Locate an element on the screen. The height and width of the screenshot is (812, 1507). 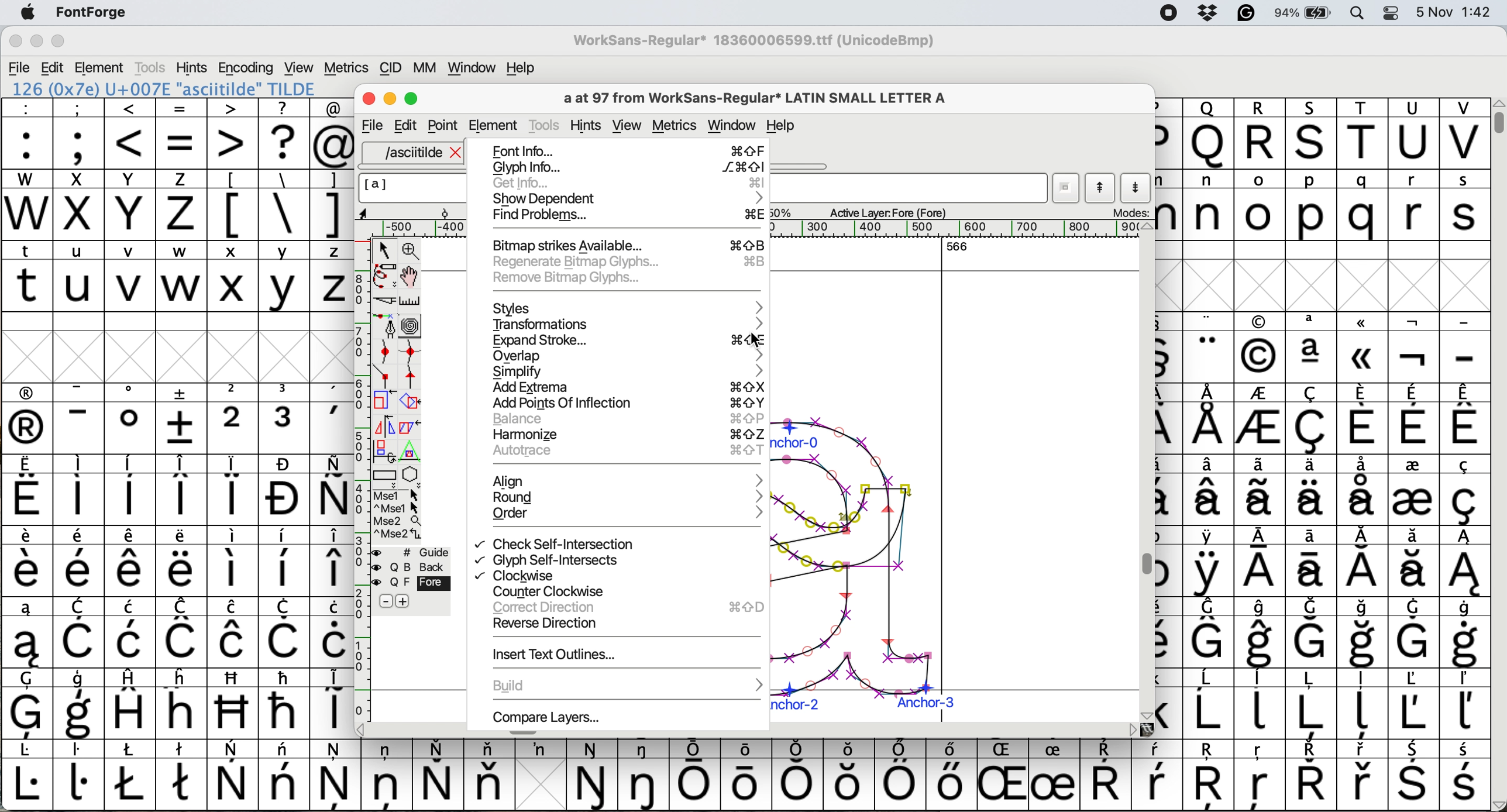
add a comer point is located at coordinates (386, 376).